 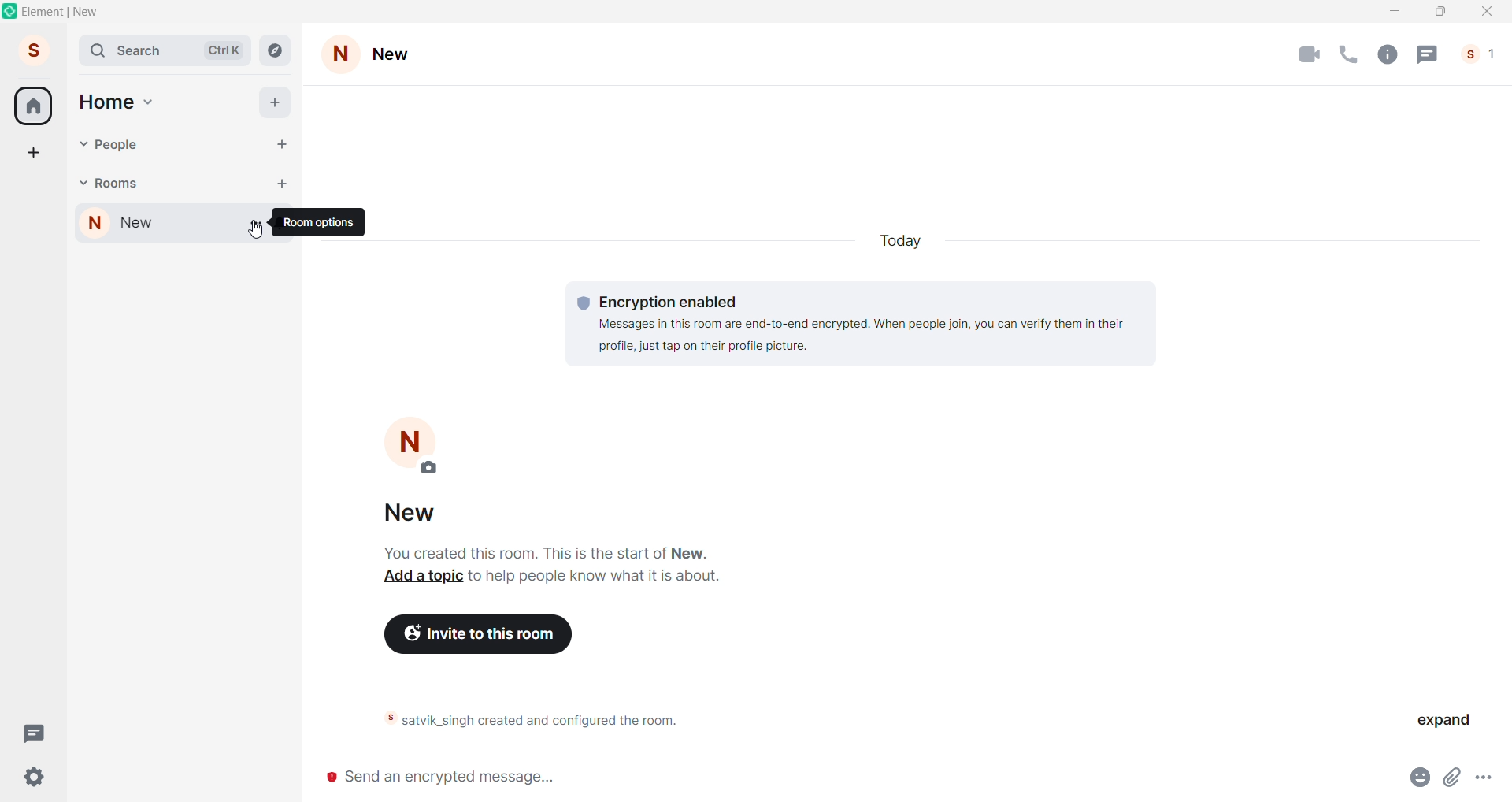 What do you see at coordinates (852, 779) in the screenshot?
I see `send an encrypted message...` at bounding box center [852, 779].